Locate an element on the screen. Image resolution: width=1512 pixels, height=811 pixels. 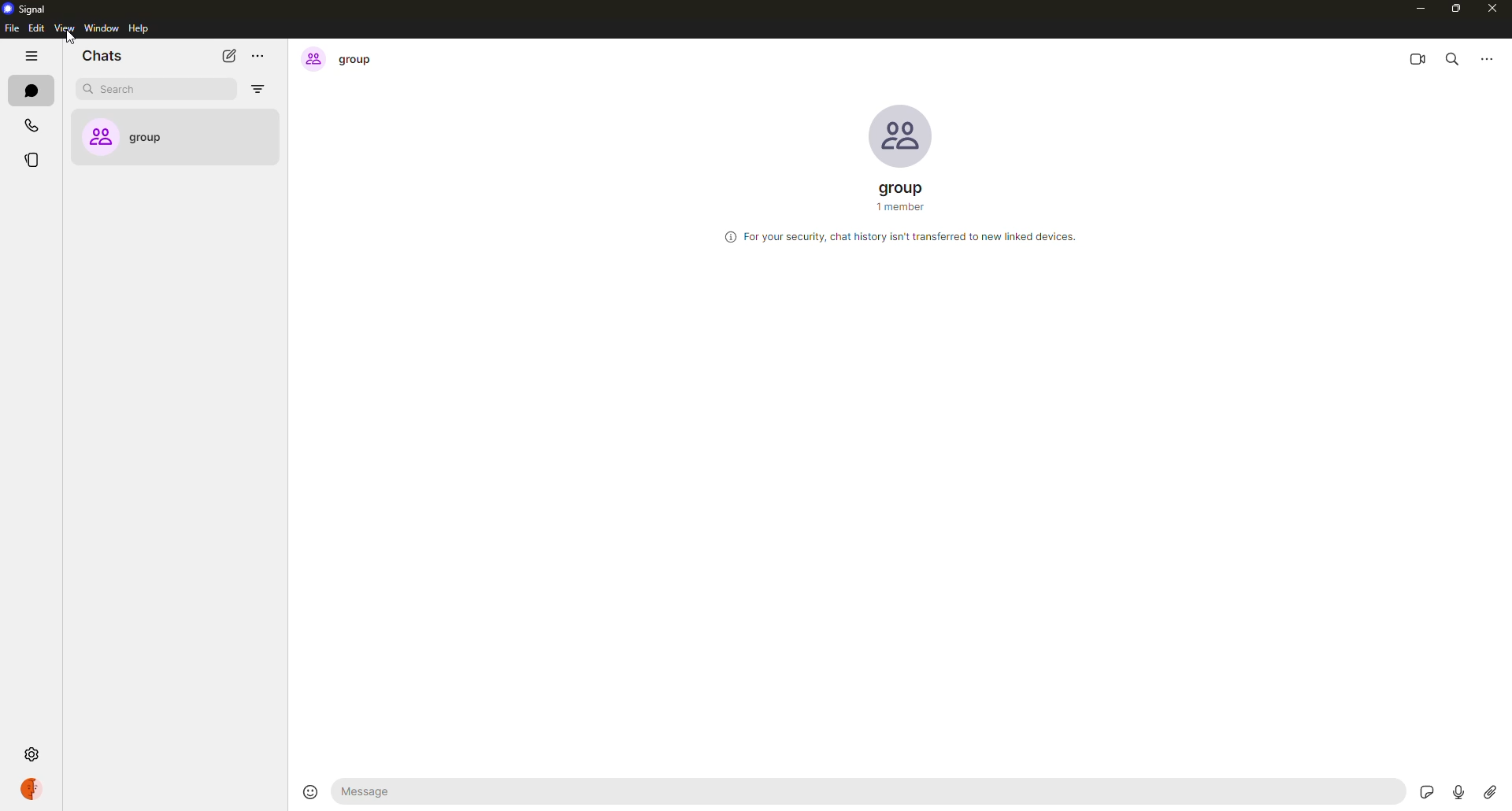
record is located at coordinates (1456, 791).